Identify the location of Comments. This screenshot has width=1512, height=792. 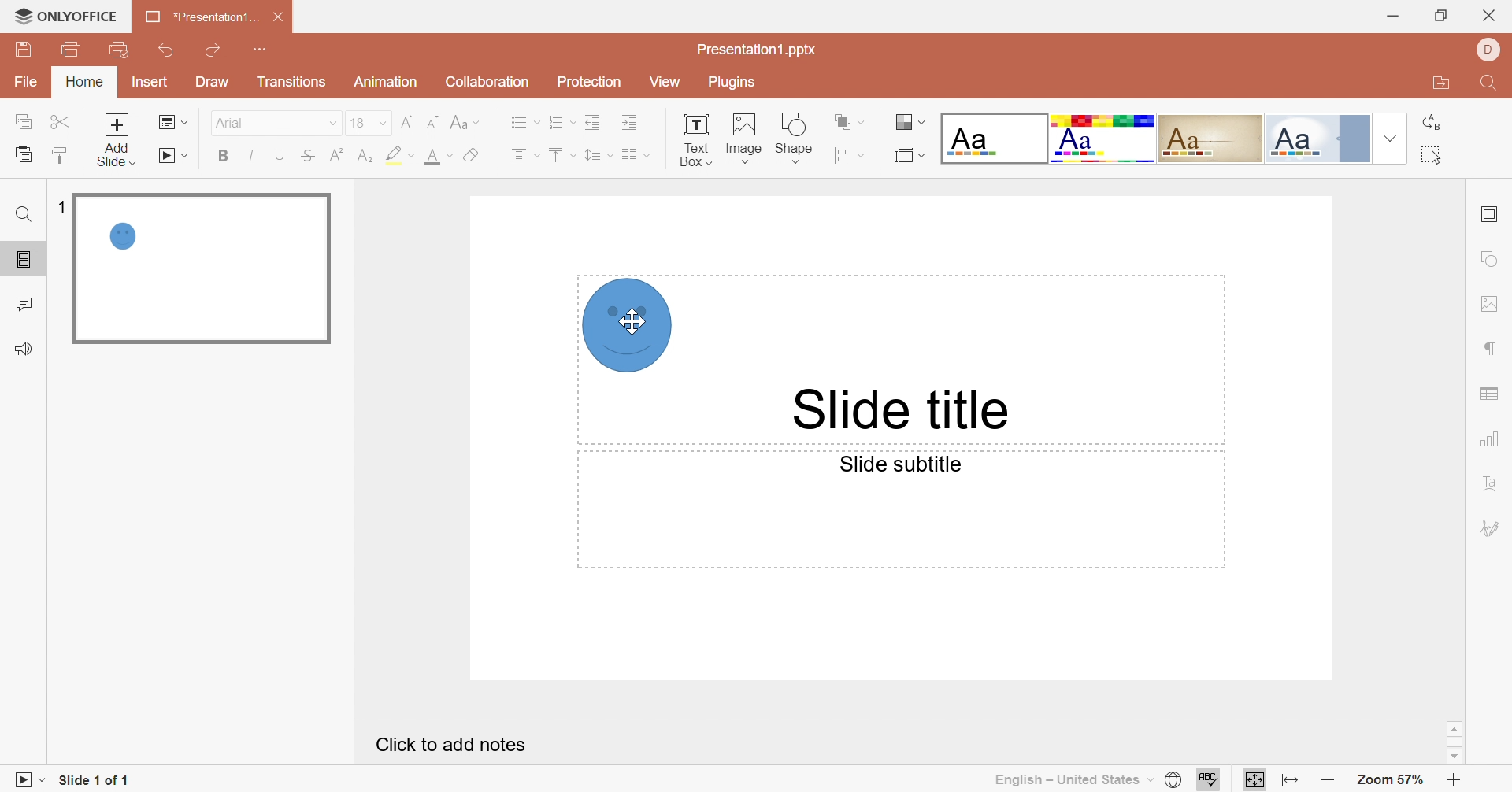
(28, 305).